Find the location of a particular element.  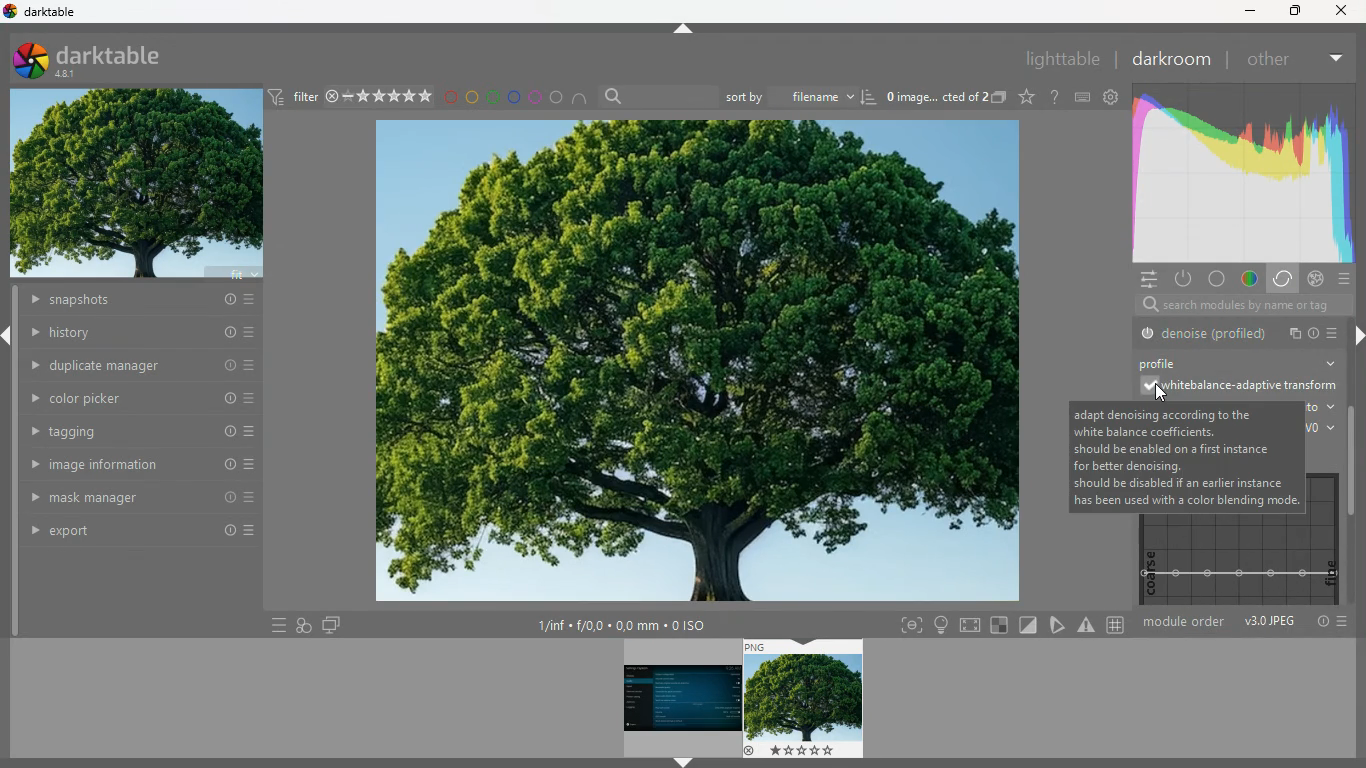

image is located at coordinates (140, 185).